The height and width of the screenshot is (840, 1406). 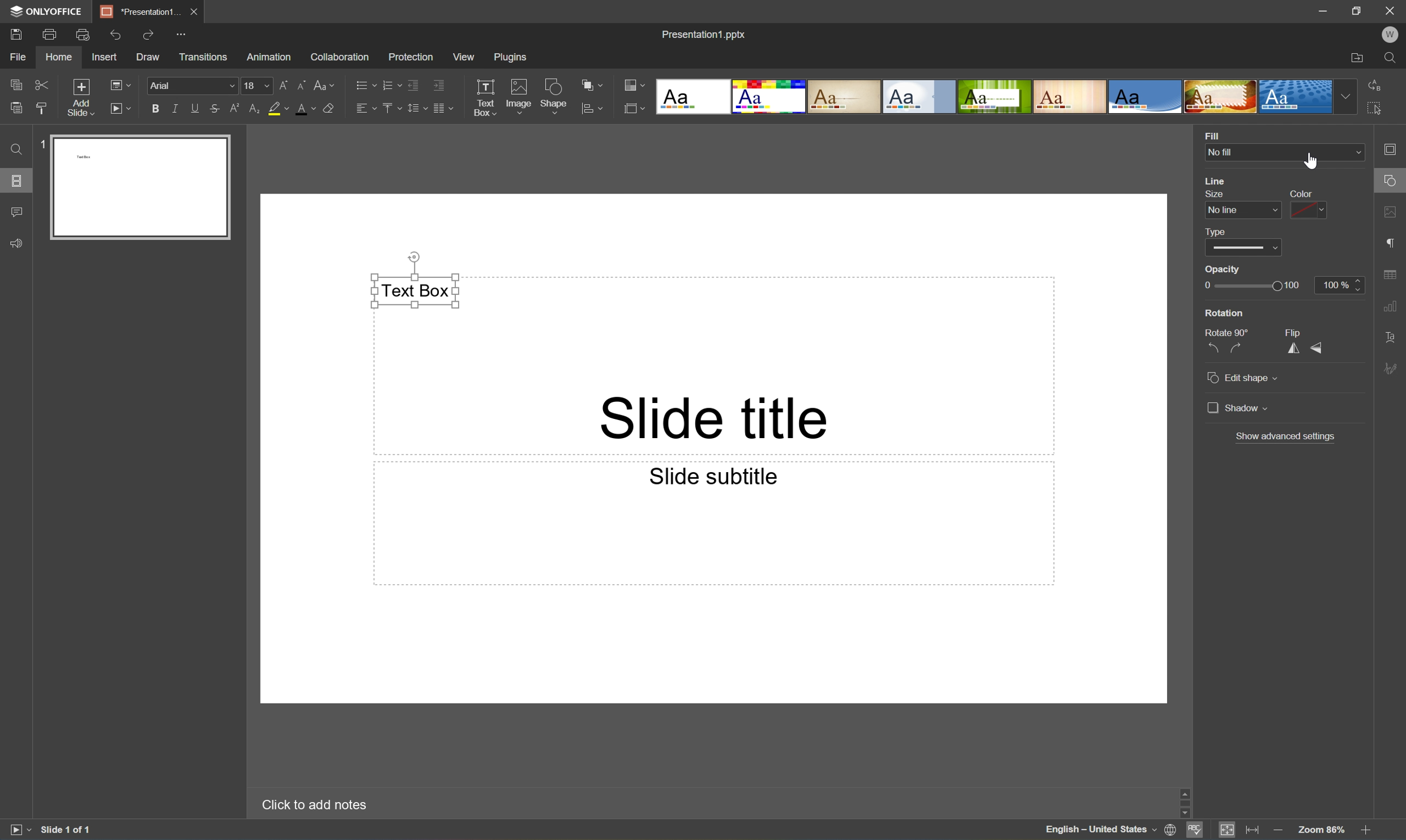 I want to click on Text Box, so click(x=417, y=291).